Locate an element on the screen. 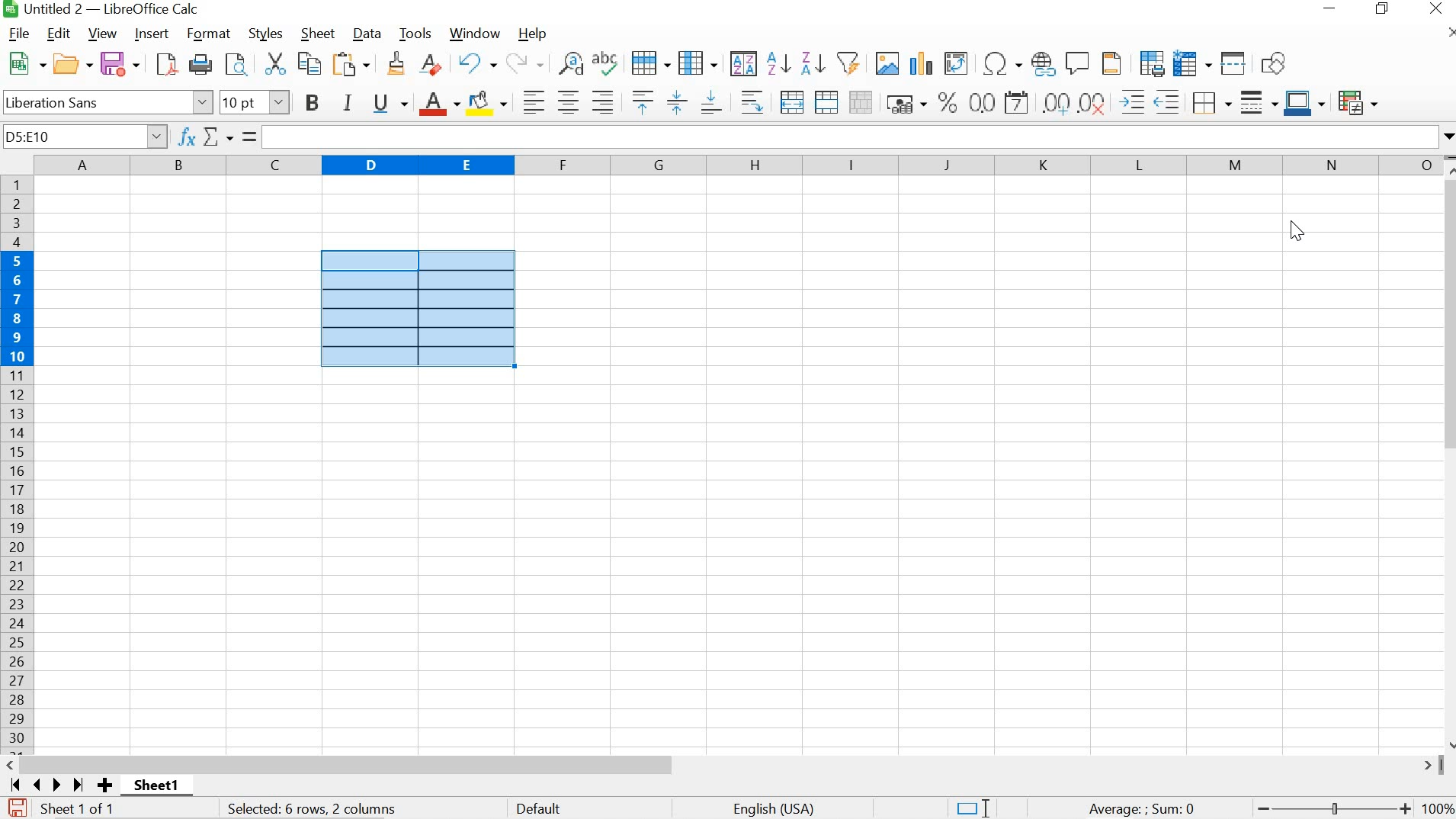 The height and width of the screenshot is (819, 1456). VIEW is located at coordinates (101, 34).